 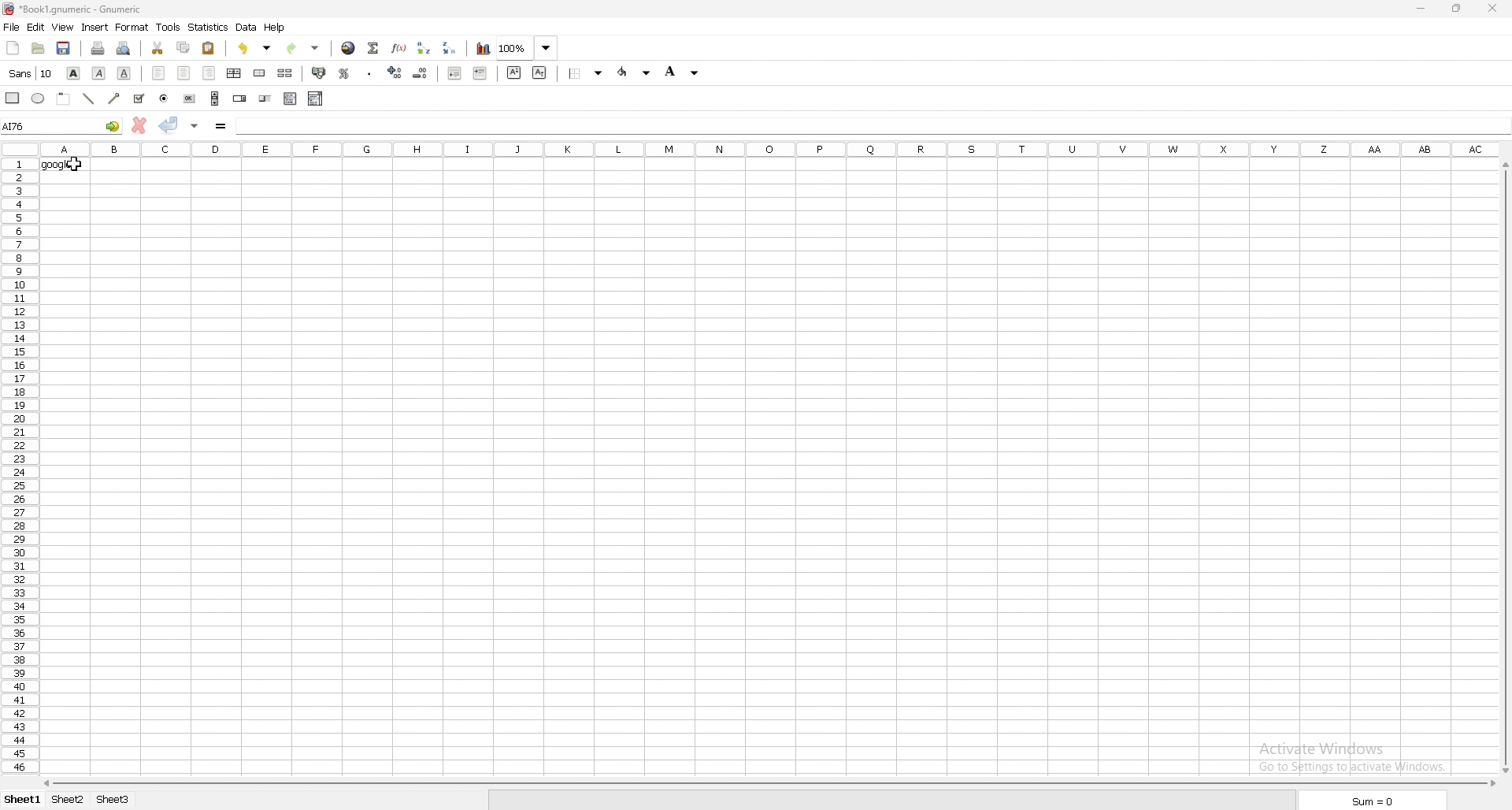 I want to click on superscript, so click(x=515, y=72).